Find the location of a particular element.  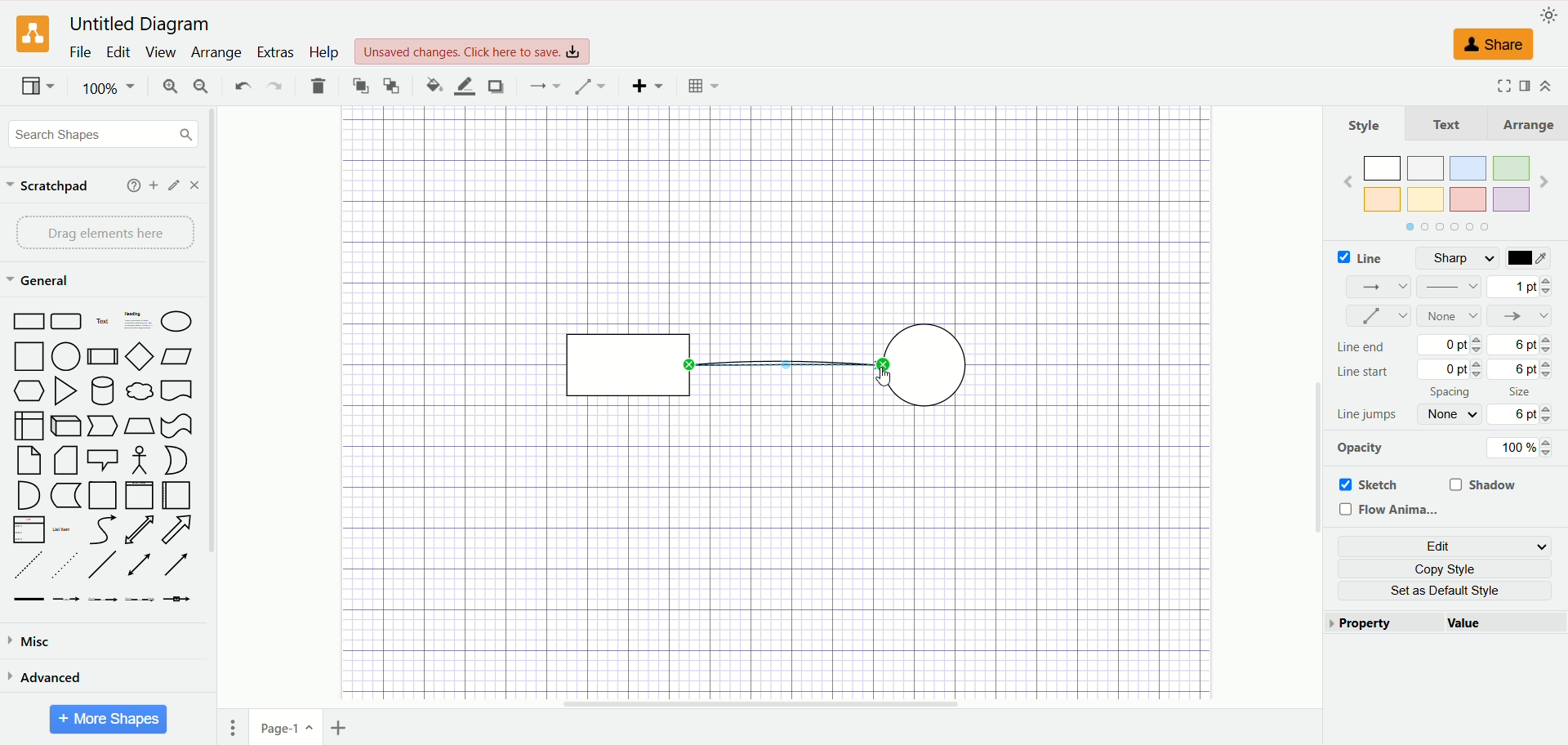

Color 2 is located at coordinates (1425, 169).